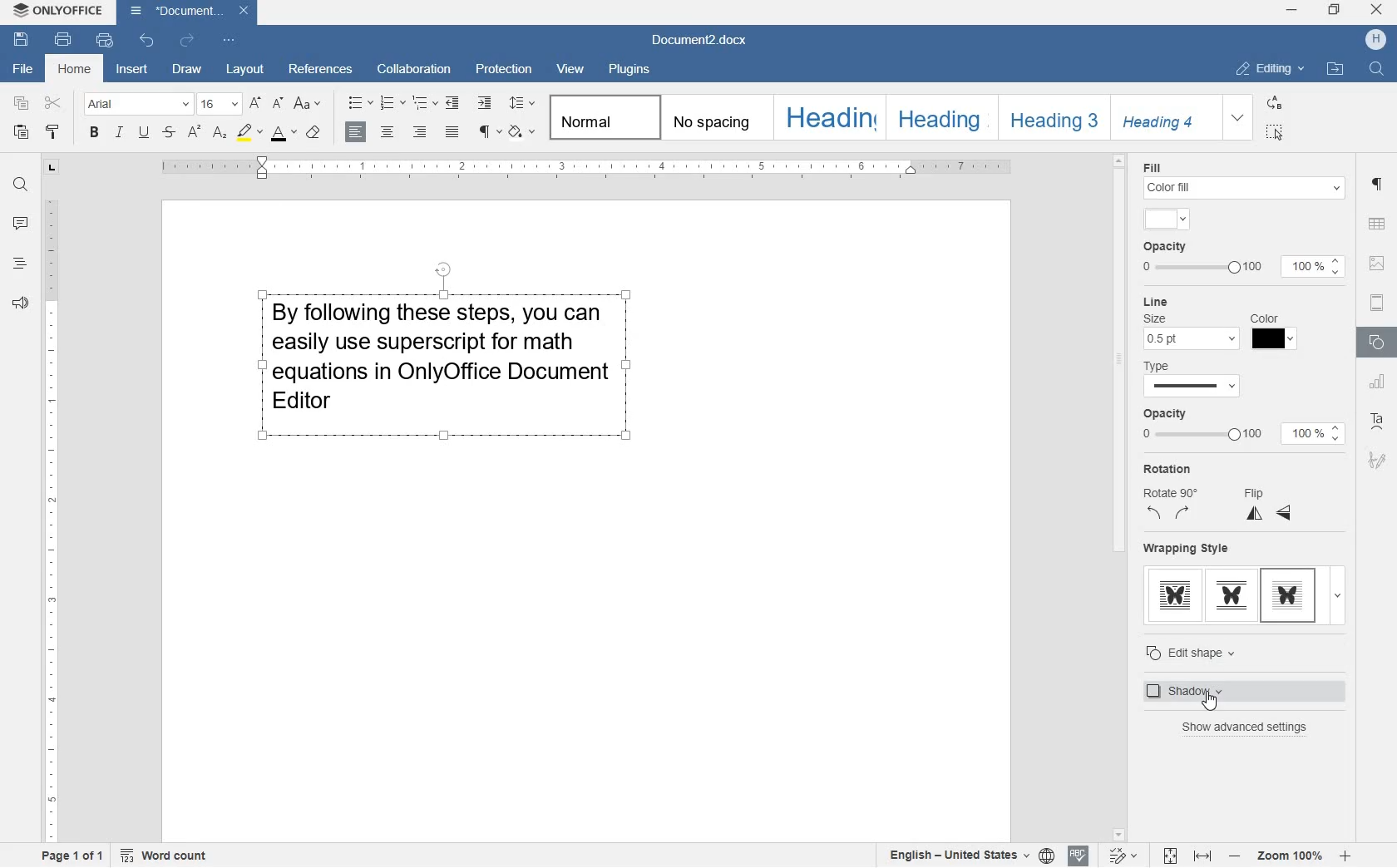 The height and width of the screenshot is (868, 1397). What do you see at coordinates (163, 856) in the screenshot?
I see `Word count` at bounding box center [163, 856].